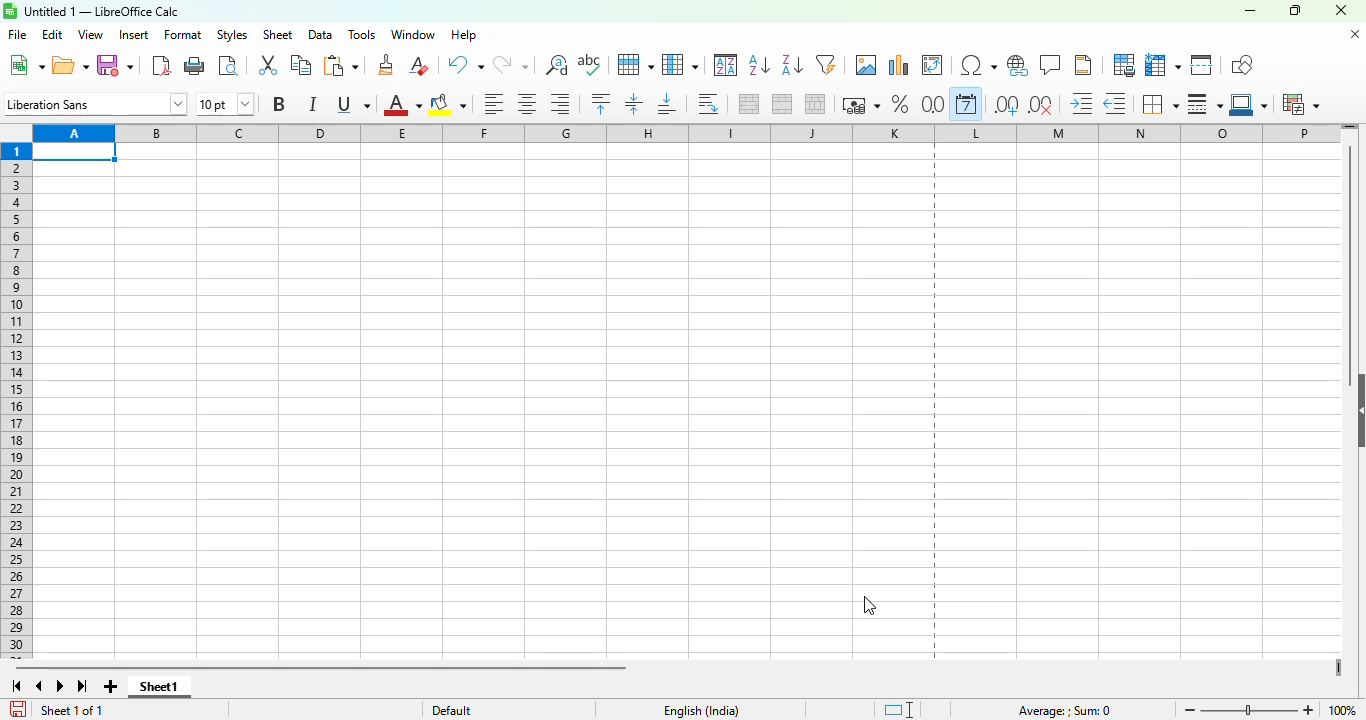  What do you see at coordinates (448, 105) in the screenshot?
I see `background color` at bounding box center [448, 105].